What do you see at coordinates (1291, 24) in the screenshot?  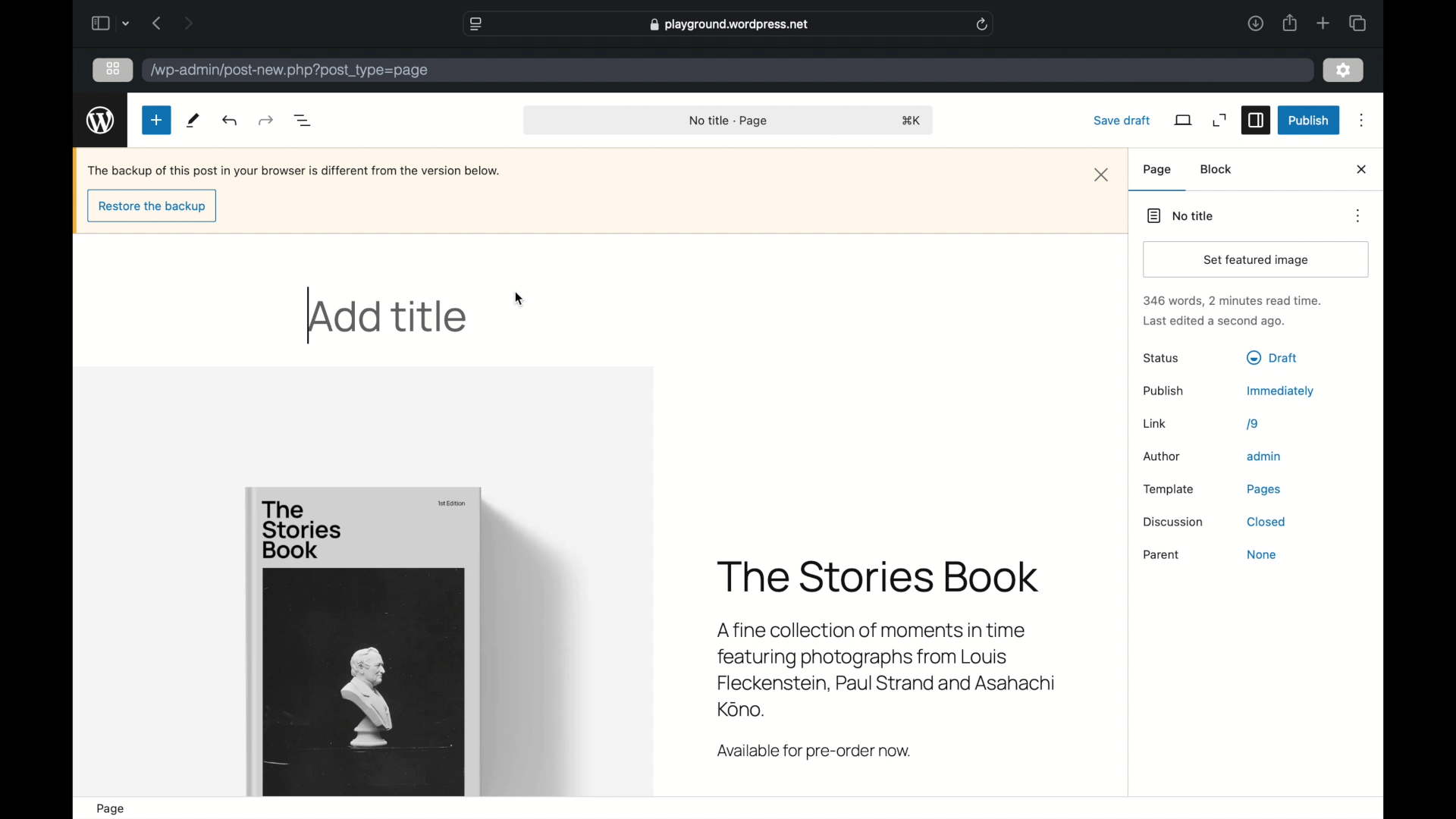 I see `share` at bounding box center [1291, 24].